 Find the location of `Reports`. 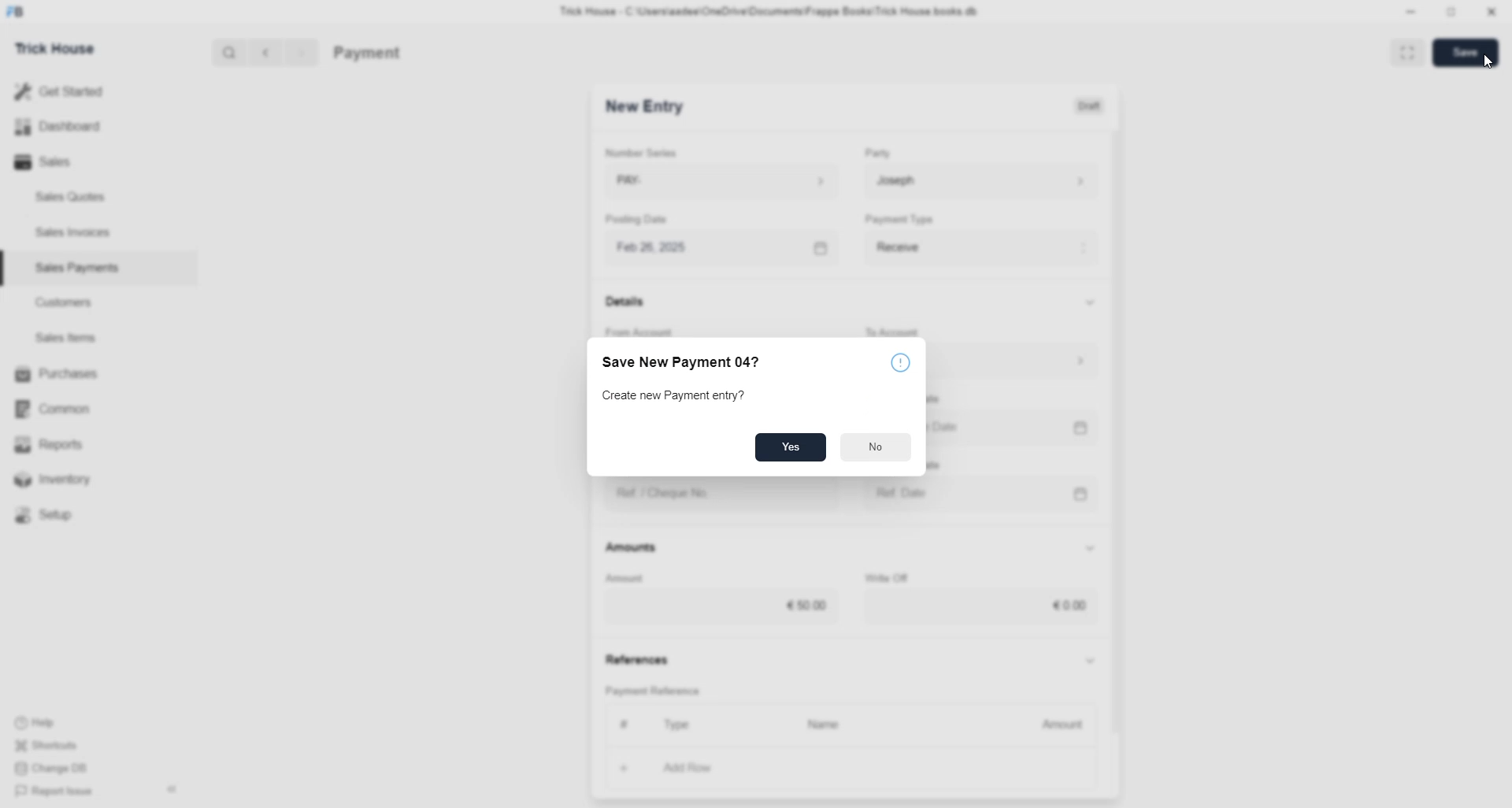

Reports is located at coordinates (59, 443).